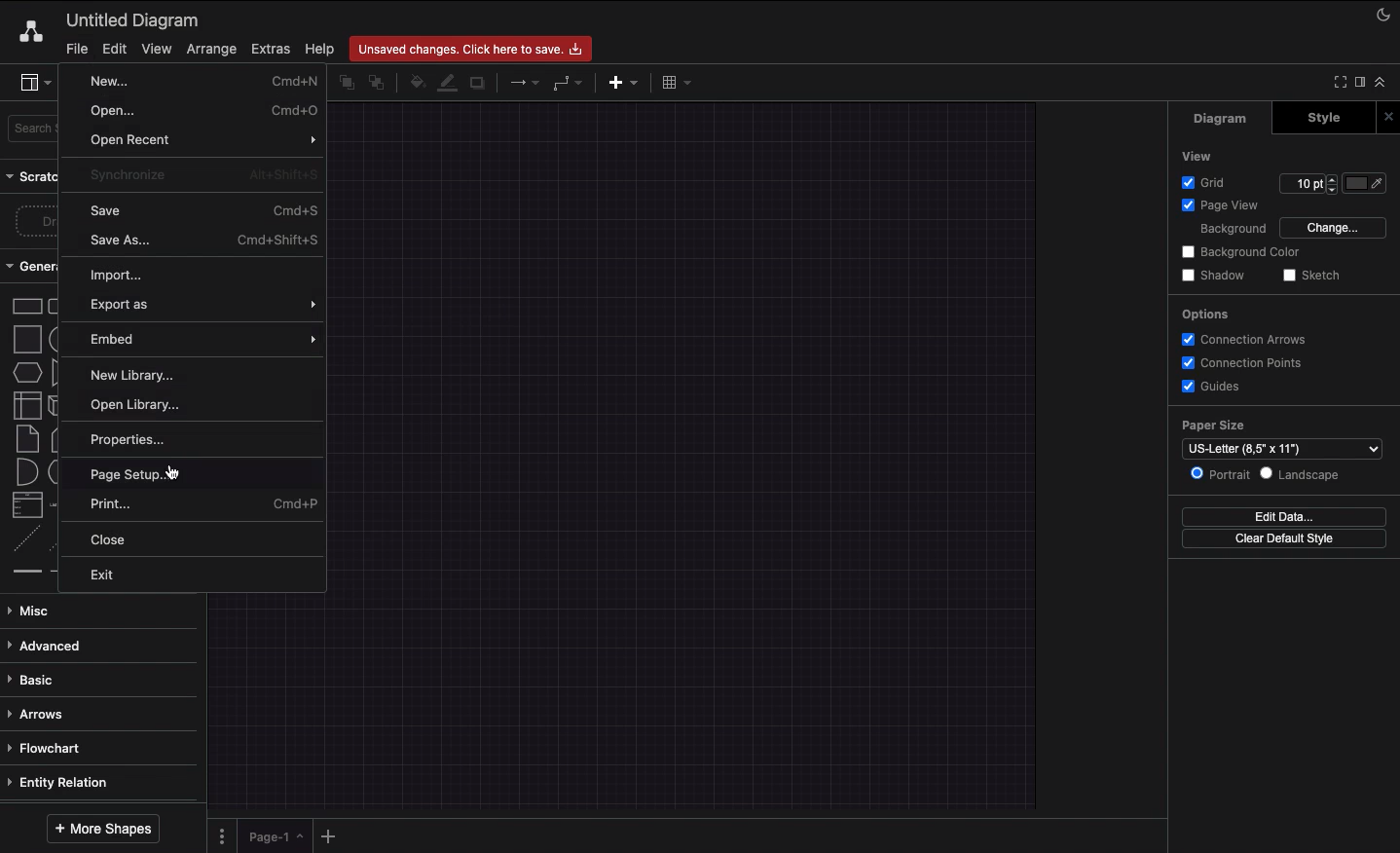 The image size is (1400, 853). What do you see at coordinates (101, 829) in the screenshot?
I see `More shapes` at bounding box center [101, 829].